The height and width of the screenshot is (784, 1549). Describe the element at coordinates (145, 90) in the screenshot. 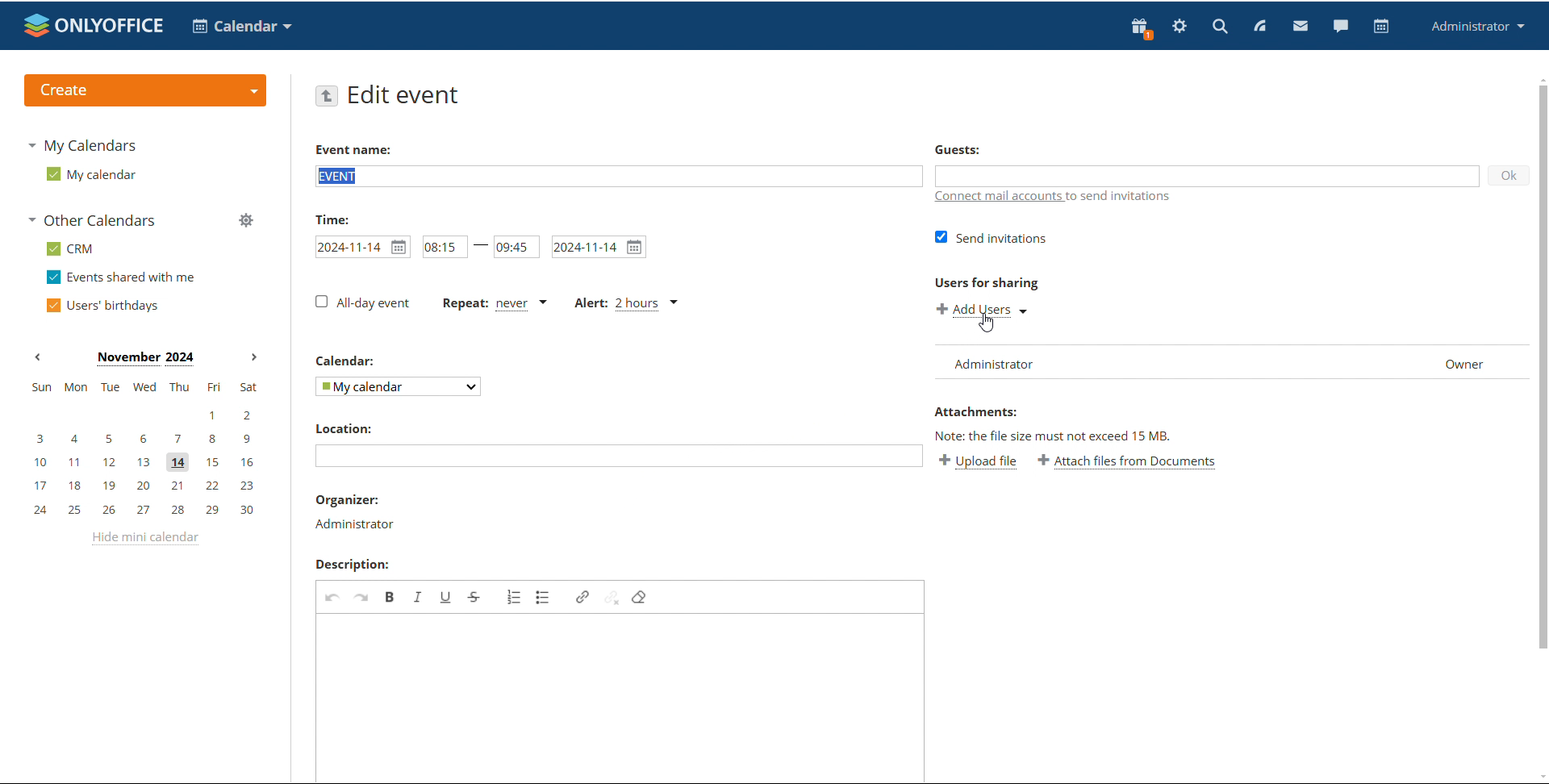

I see `create` at that location.